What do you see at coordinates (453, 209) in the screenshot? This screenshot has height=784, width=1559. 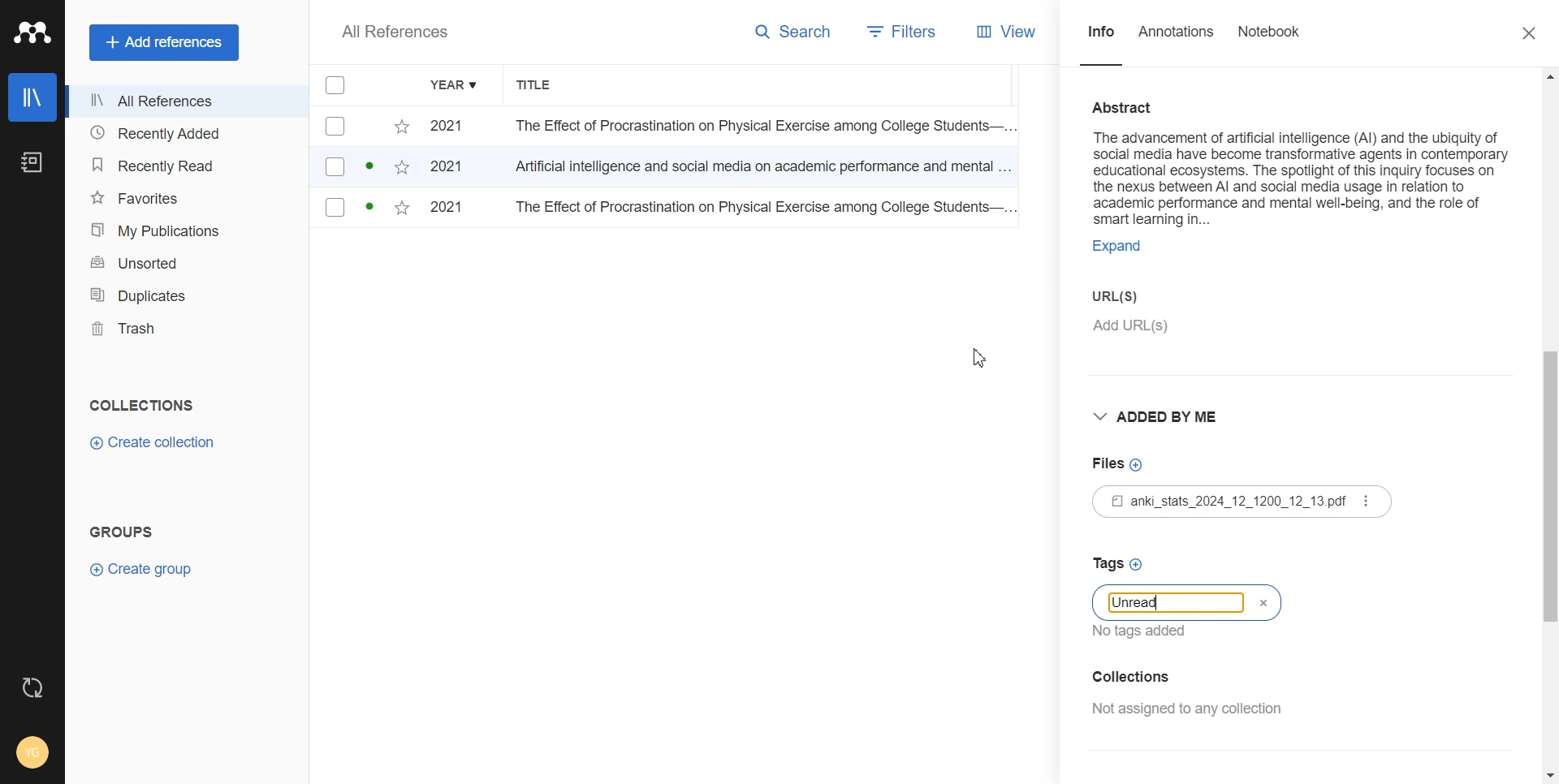 I see `2021` at bounding box center [453, 209].